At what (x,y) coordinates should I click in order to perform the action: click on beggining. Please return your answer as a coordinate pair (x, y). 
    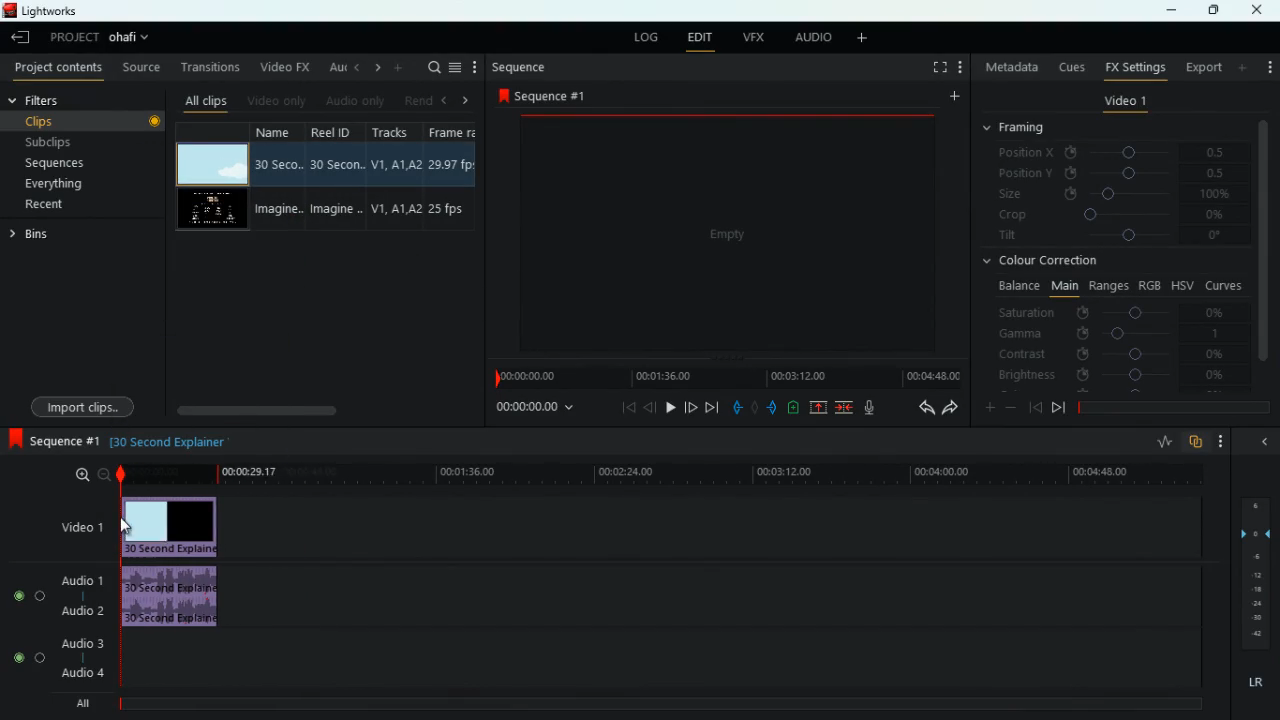
    Looking at the image, I should click on (622, 406).